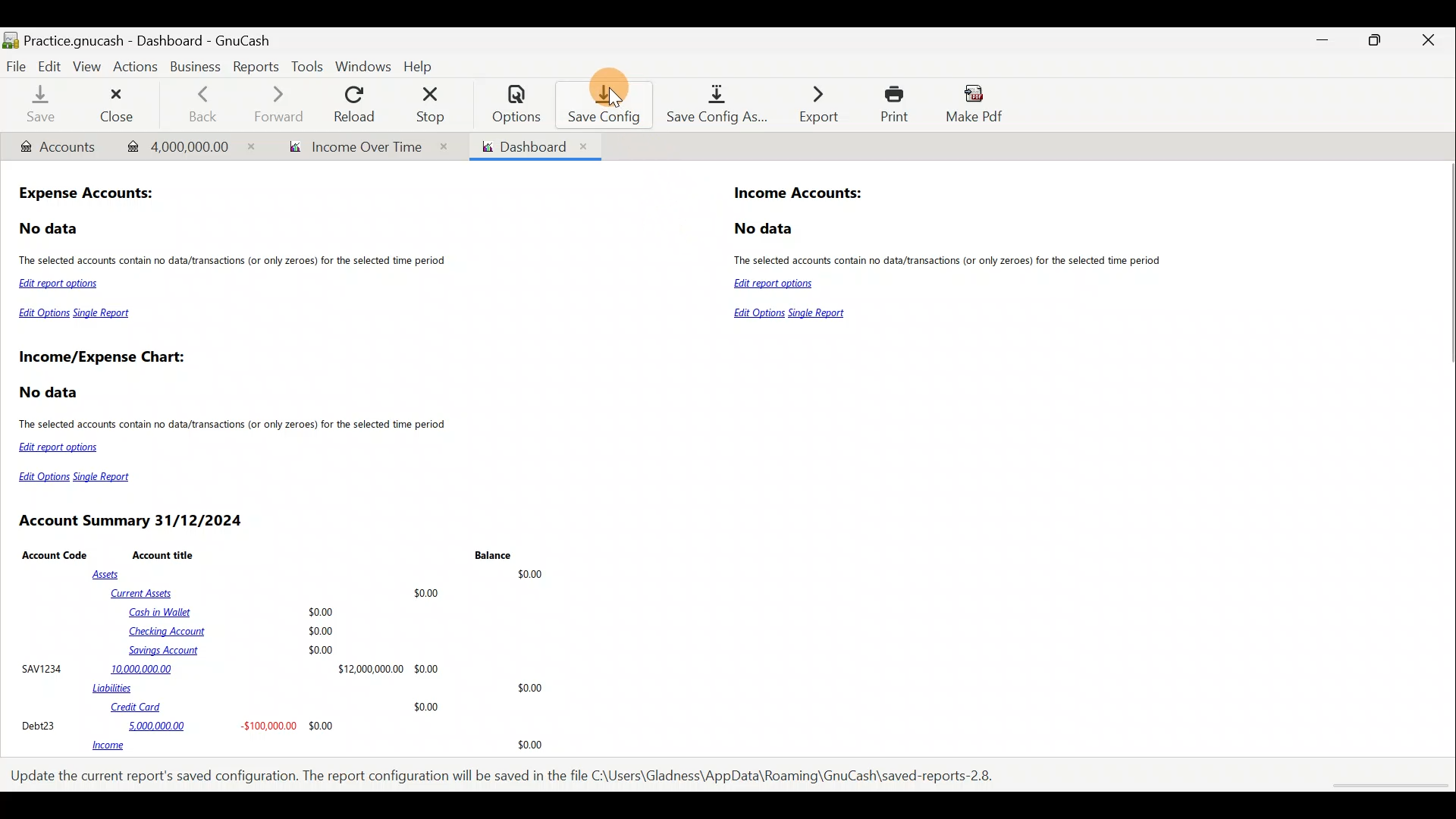  Describe the element at coordinates (276, 708) in the screenshot. I see `Credit Card $0.00` at that location.